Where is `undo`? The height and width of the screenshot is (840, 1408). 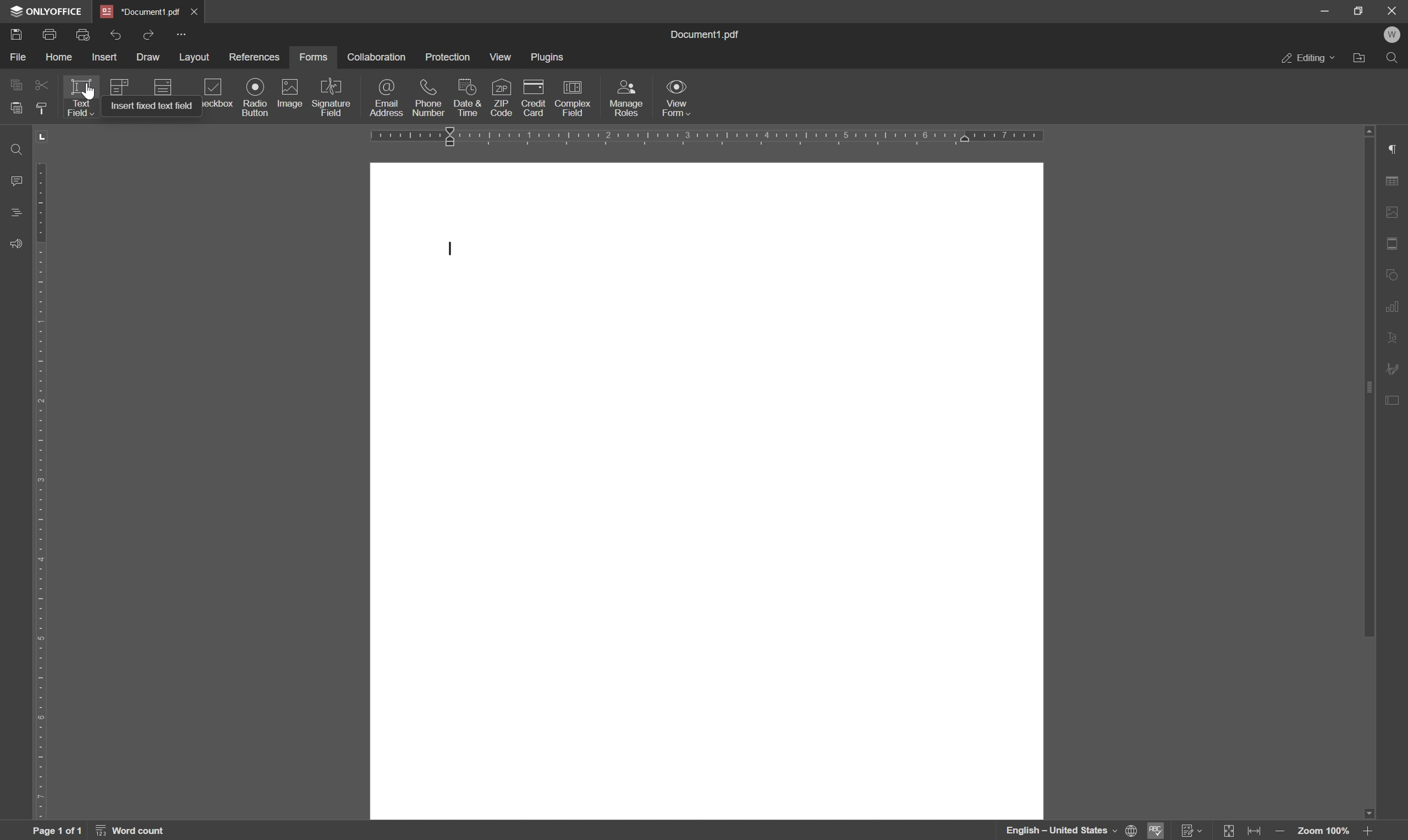 undo is located at coordinates (115, 34).